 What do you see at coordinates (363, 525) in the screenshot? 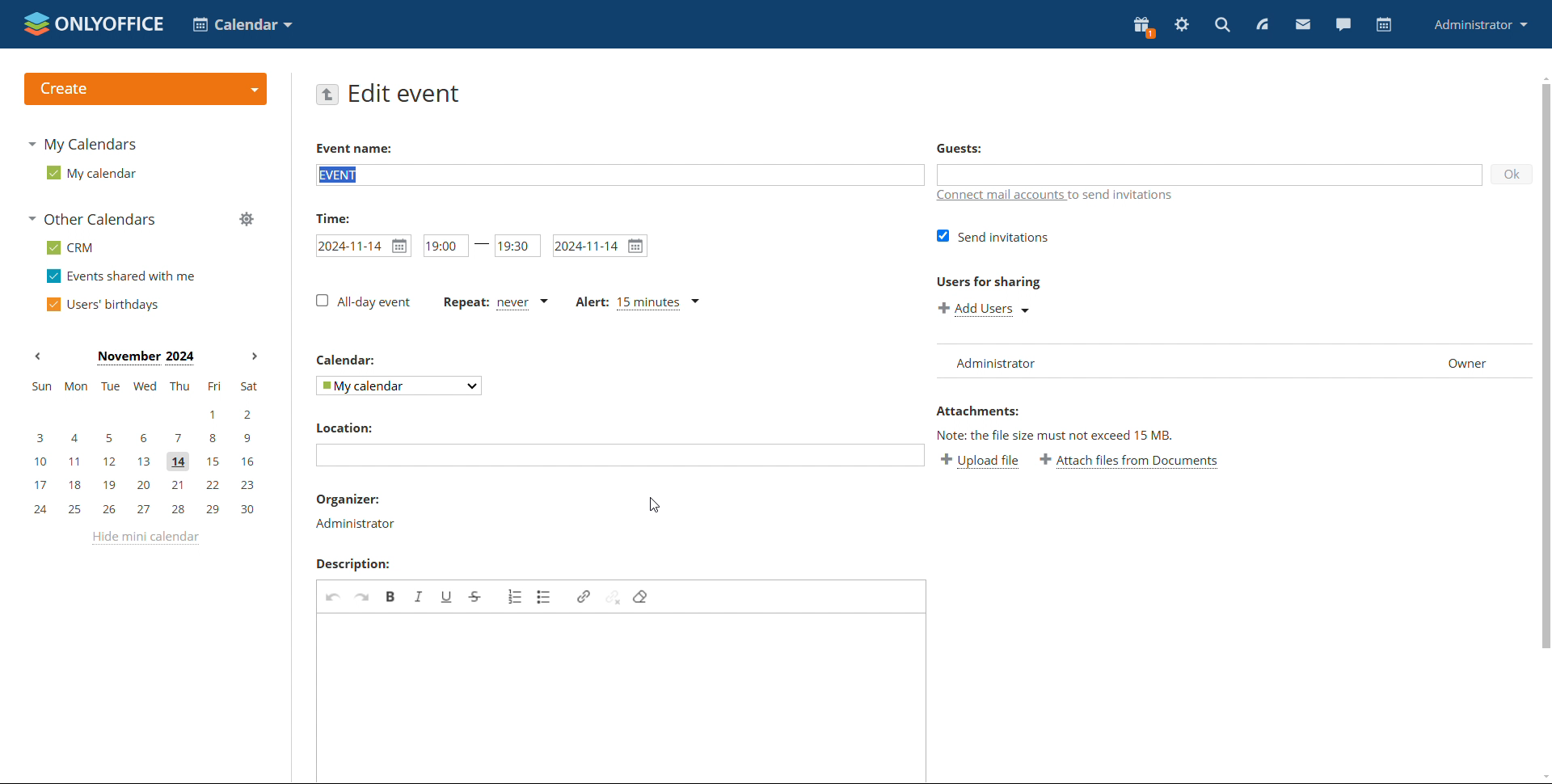
I see `Administrator` at bounding box center [363, 525].